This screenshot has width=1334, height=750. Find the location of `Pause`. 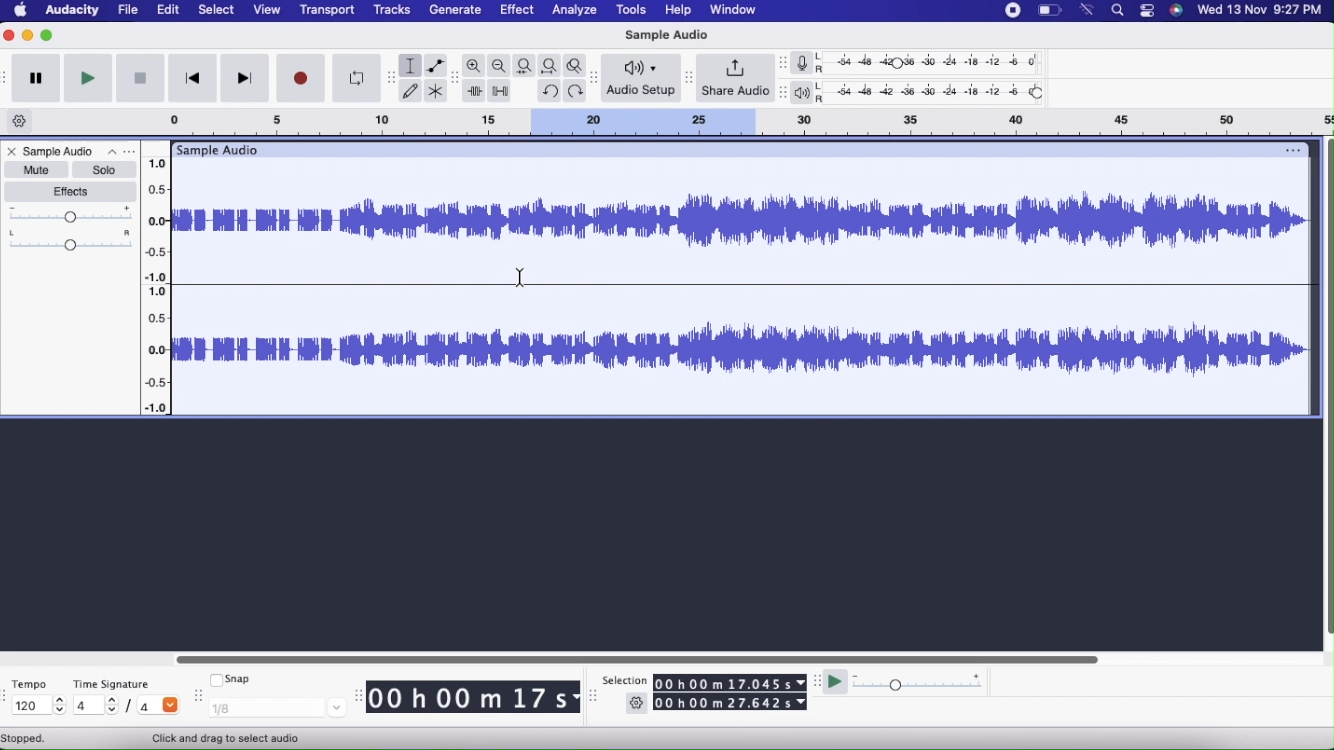

Pause is located at coordinates (36, 79).